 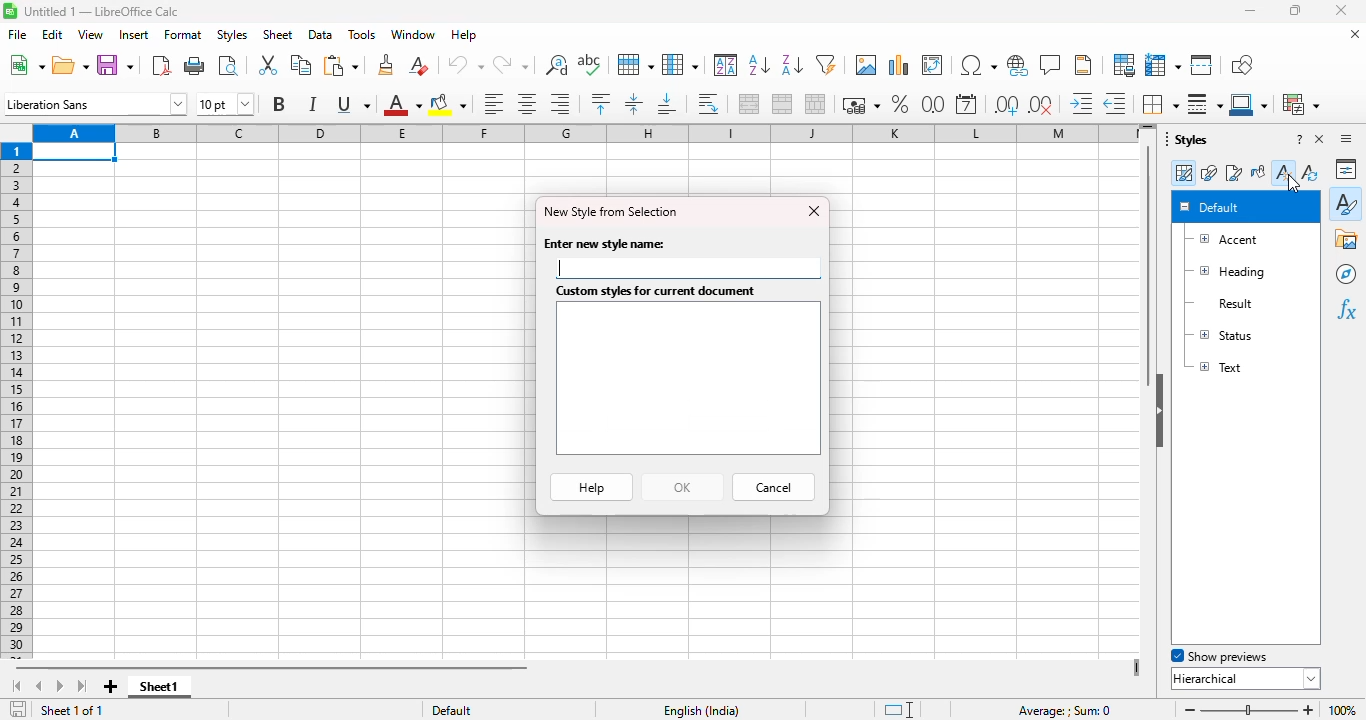 What do you see at coordinates (386, 65) in the screenshot?
I see `clone formatting` at bounding box center [386, 65].